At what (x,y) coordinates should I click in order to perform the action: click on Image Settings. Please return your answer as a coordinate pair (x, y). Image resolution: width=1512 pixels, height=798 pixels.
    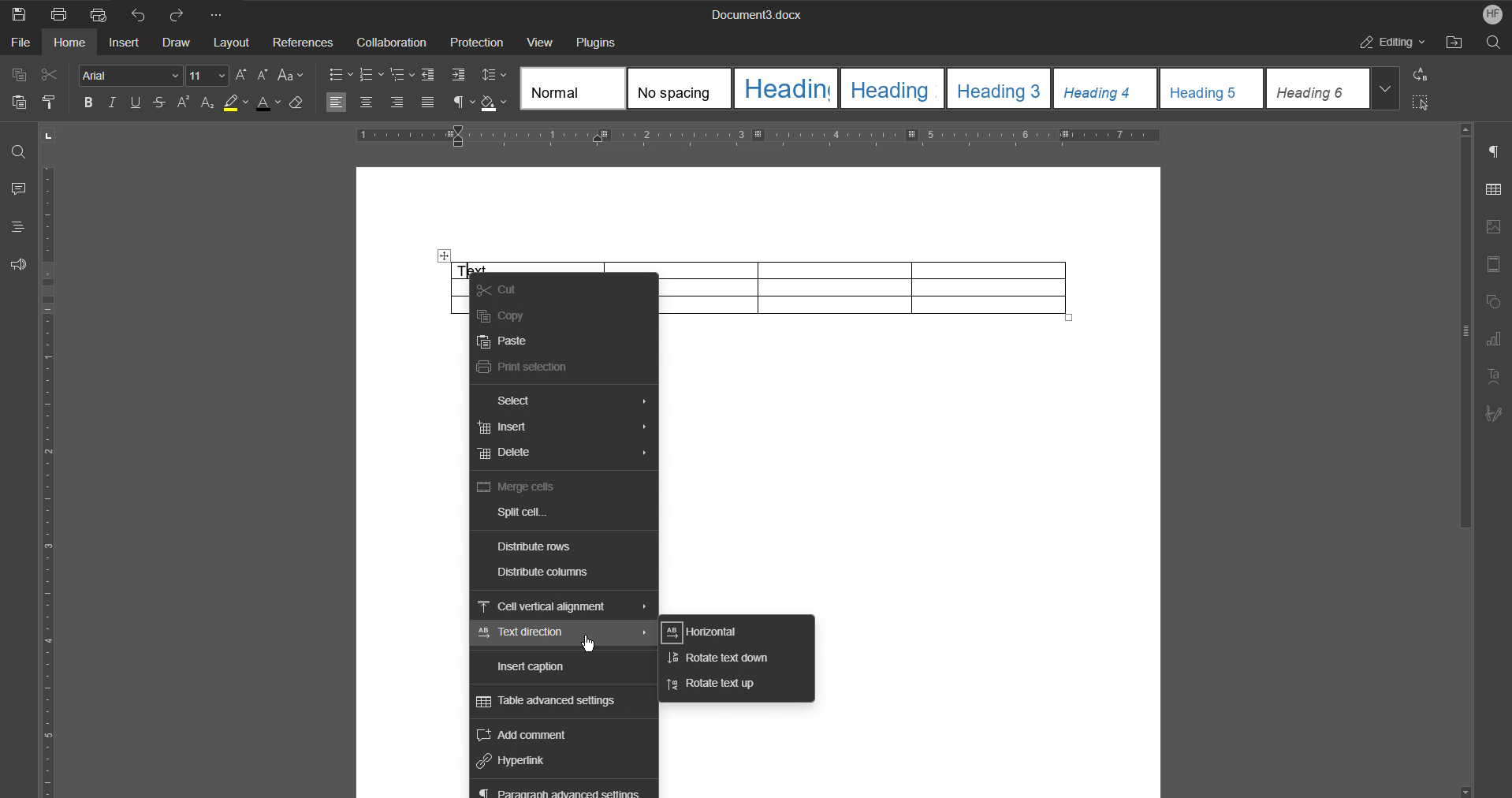
    Looking at the image, I should click on (1495, 226).